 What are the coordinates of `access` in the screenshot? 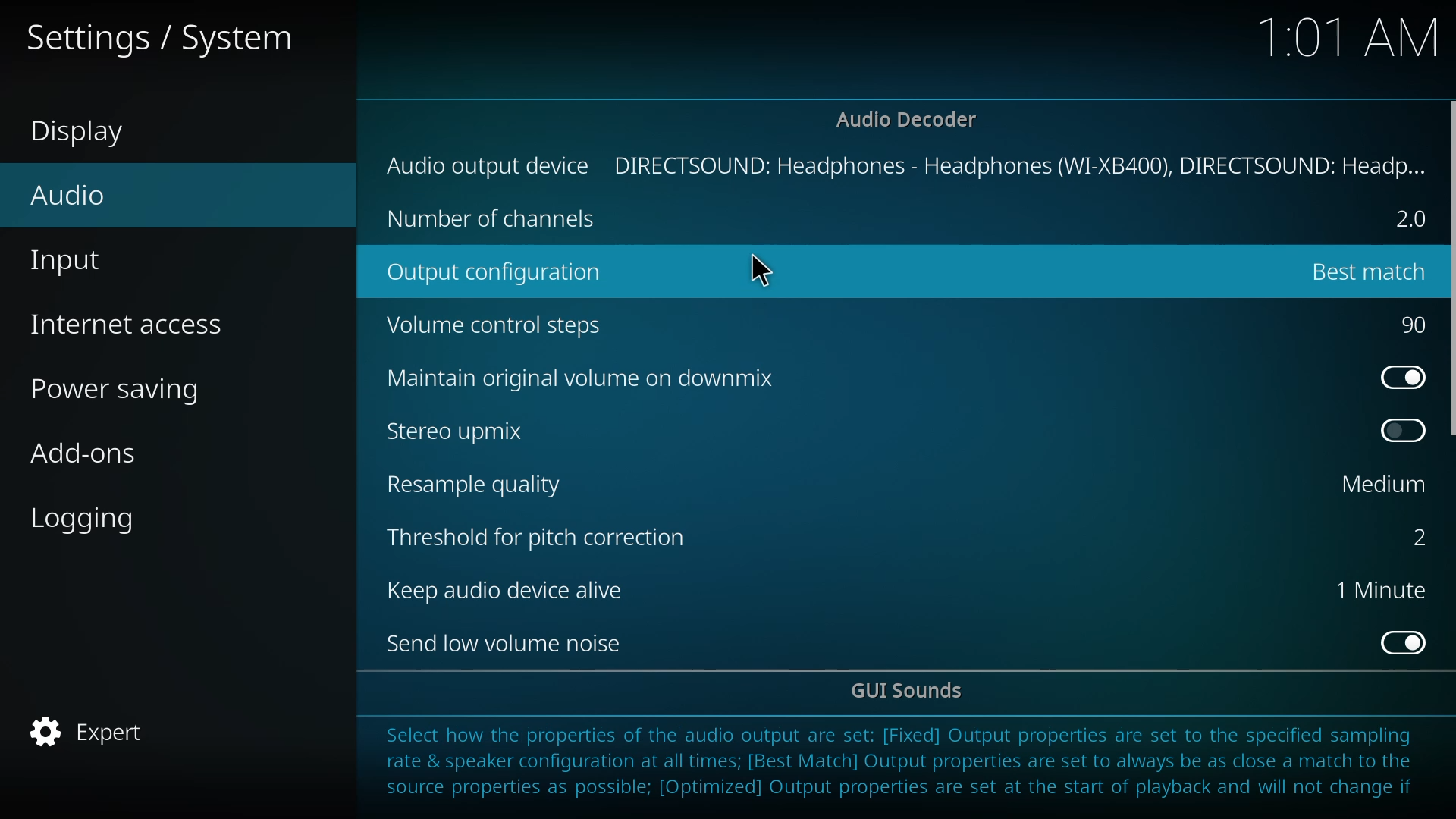 It's located at (143, 323).